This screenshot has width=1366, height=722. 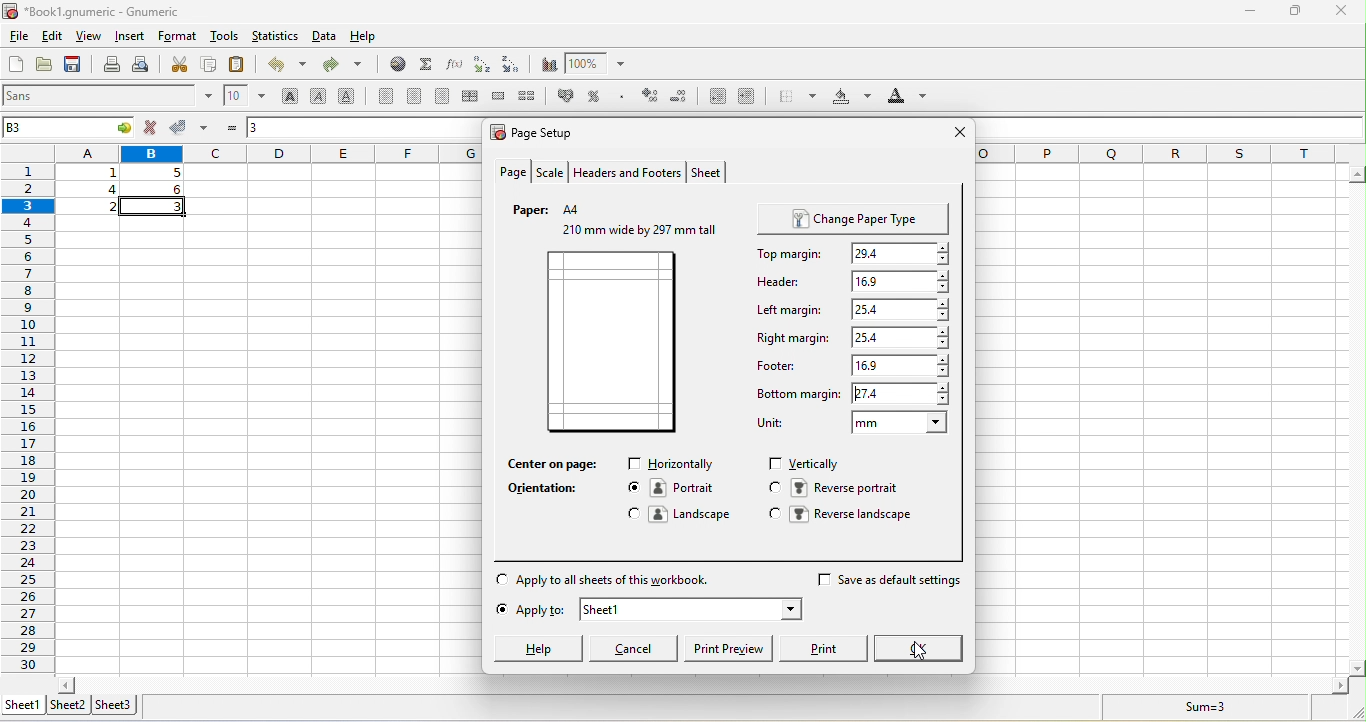 I want to click on underline, so click(x=350, y=97).